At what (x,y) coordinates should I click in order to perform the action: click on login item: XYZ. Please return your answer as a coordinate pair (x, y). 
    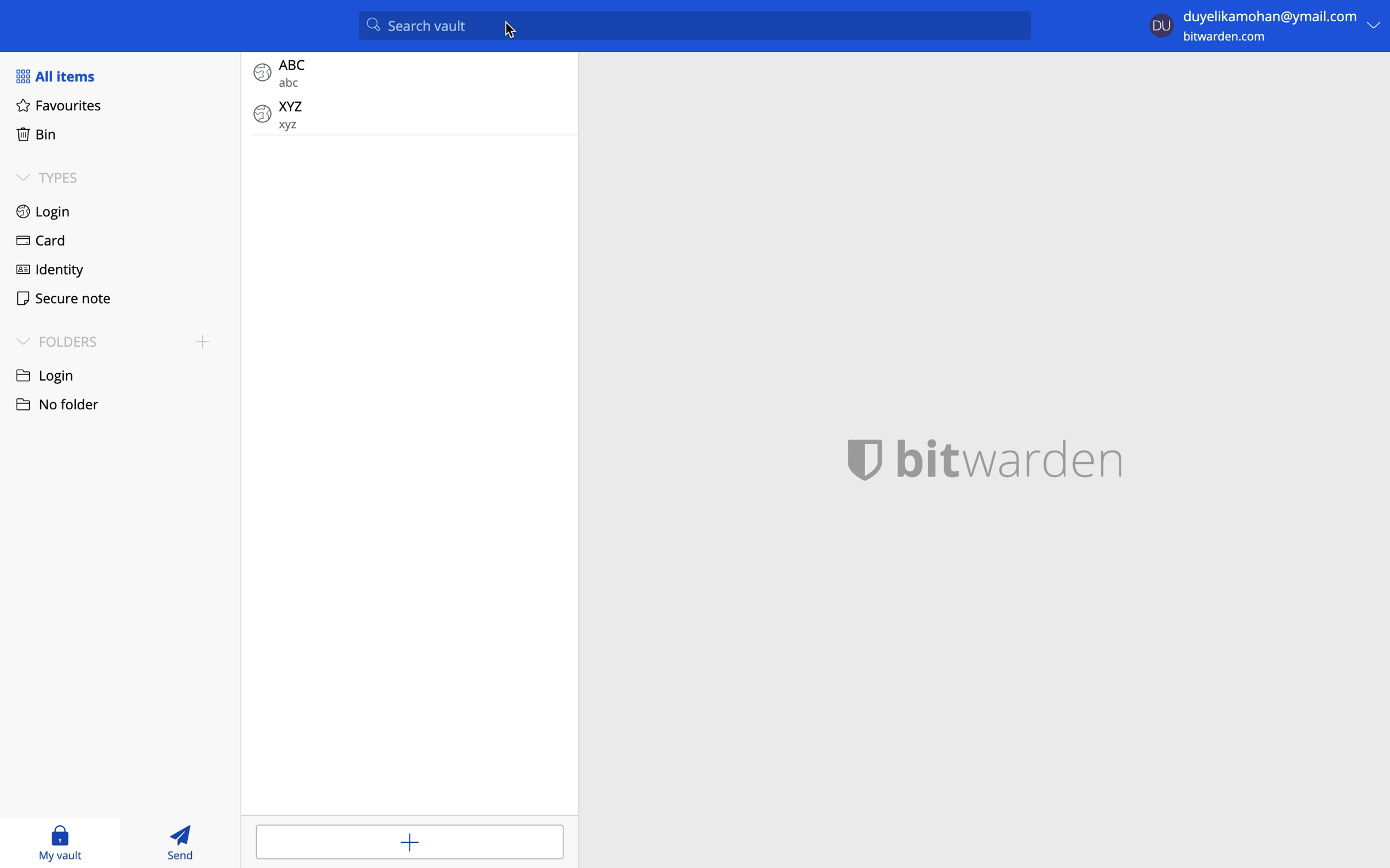
    Looking at the image, I should click on (414, 115).